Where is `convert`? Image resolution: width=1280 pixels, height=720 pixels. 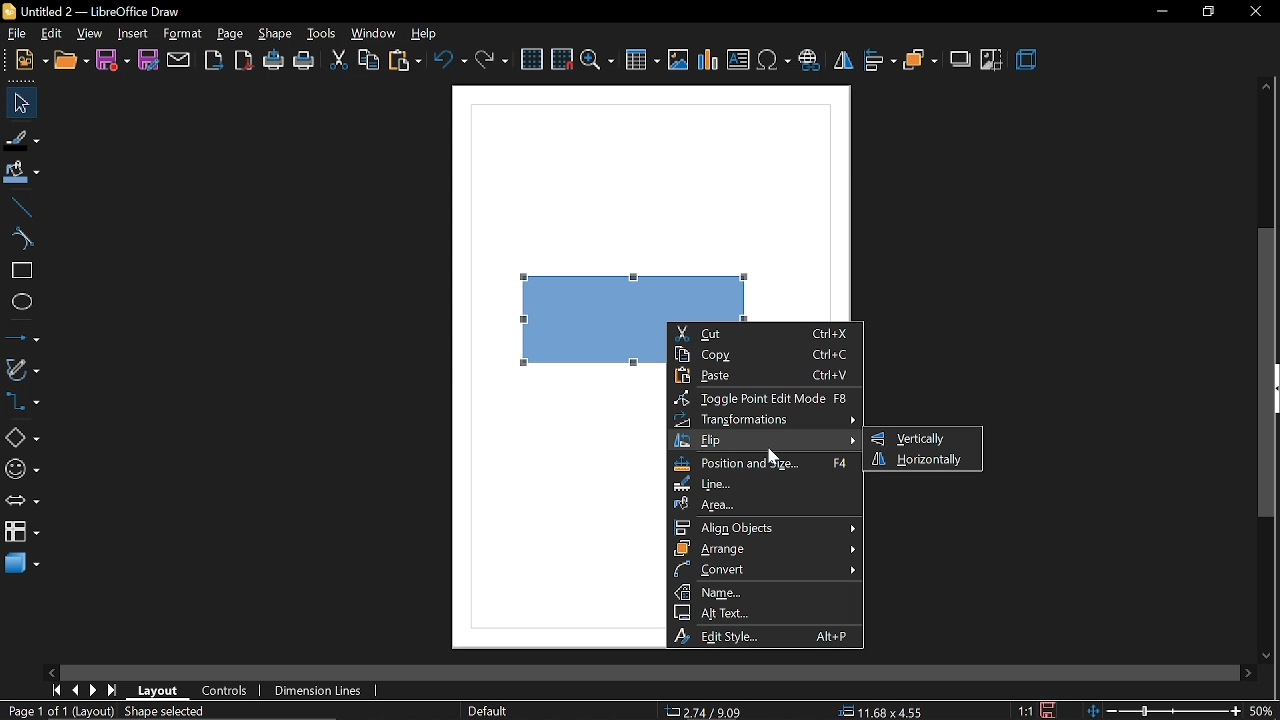
convert is located at coordinates (766, 569).